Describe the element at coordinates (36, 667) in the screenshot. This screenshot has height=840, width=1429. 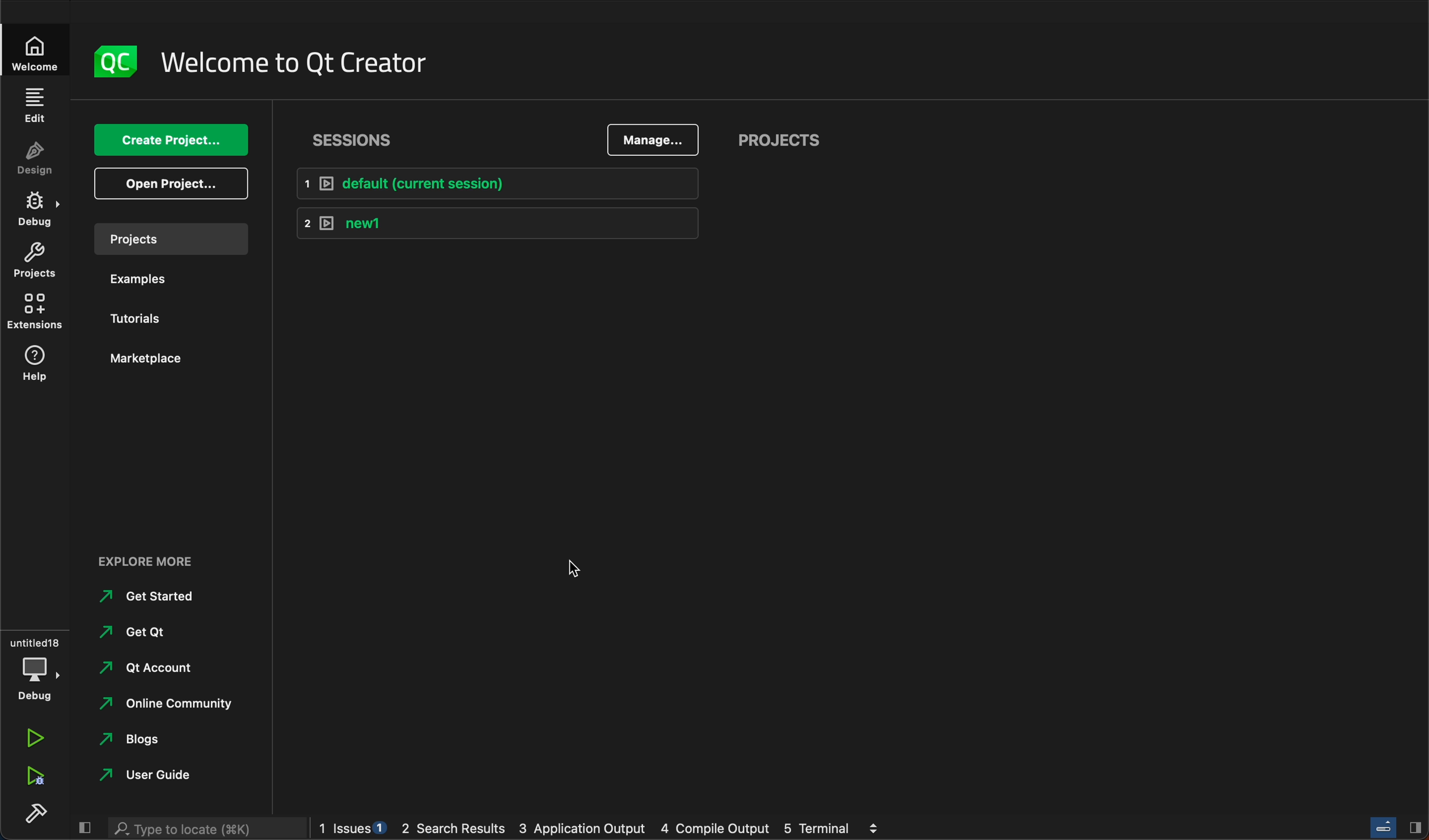
I see `debug` at that location.